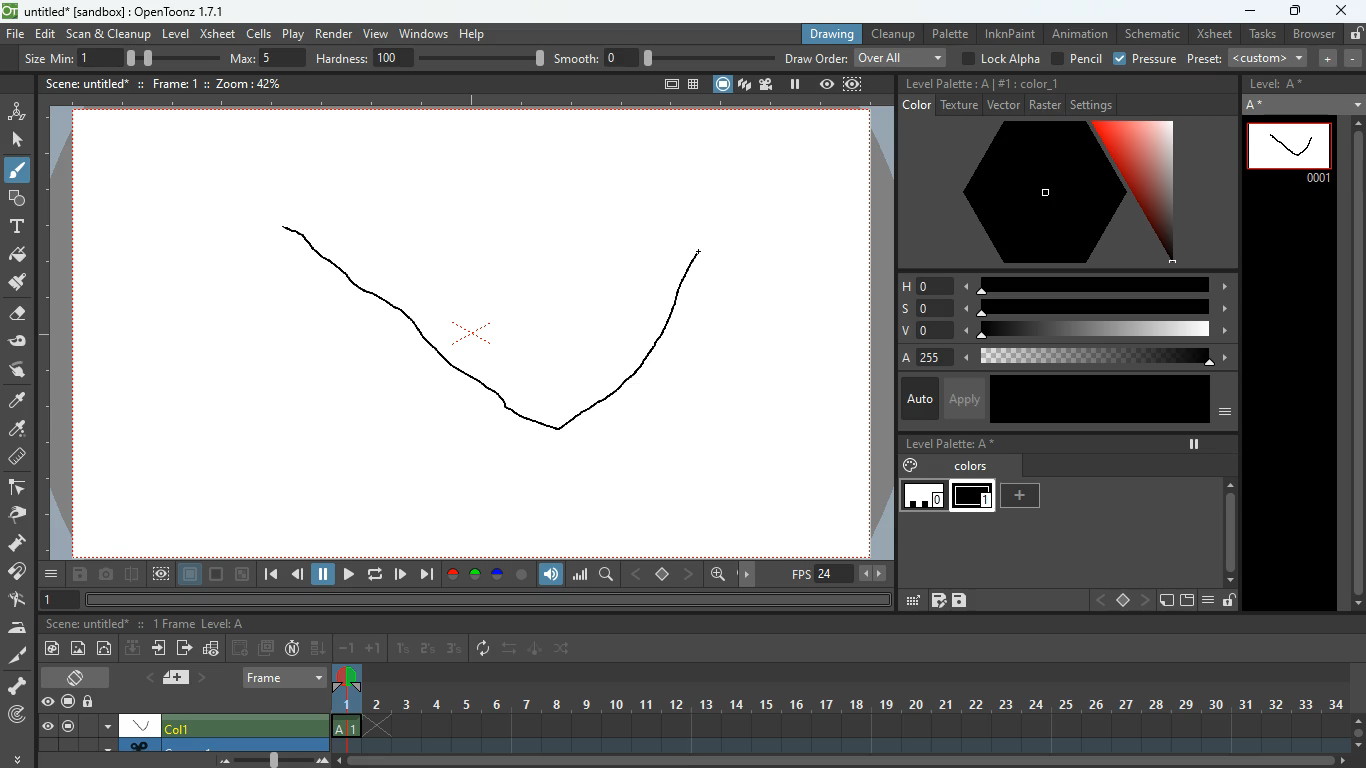 The width and height of the screenshot is (1366, 768). I want to click on skeleton, so click(16, 685).